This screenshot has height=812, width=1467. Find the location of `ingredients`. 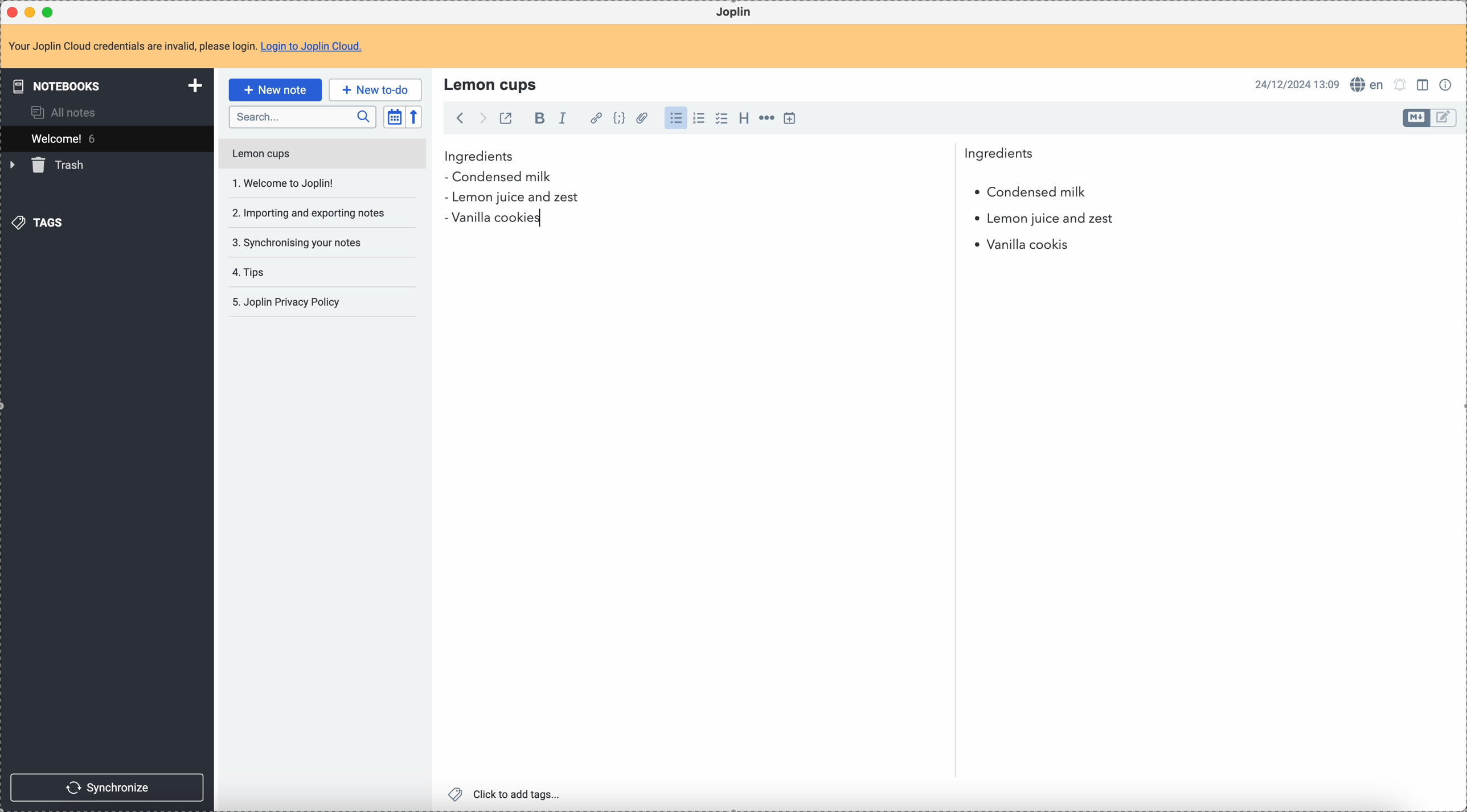

ingredients is located at coordinates (739, 157).